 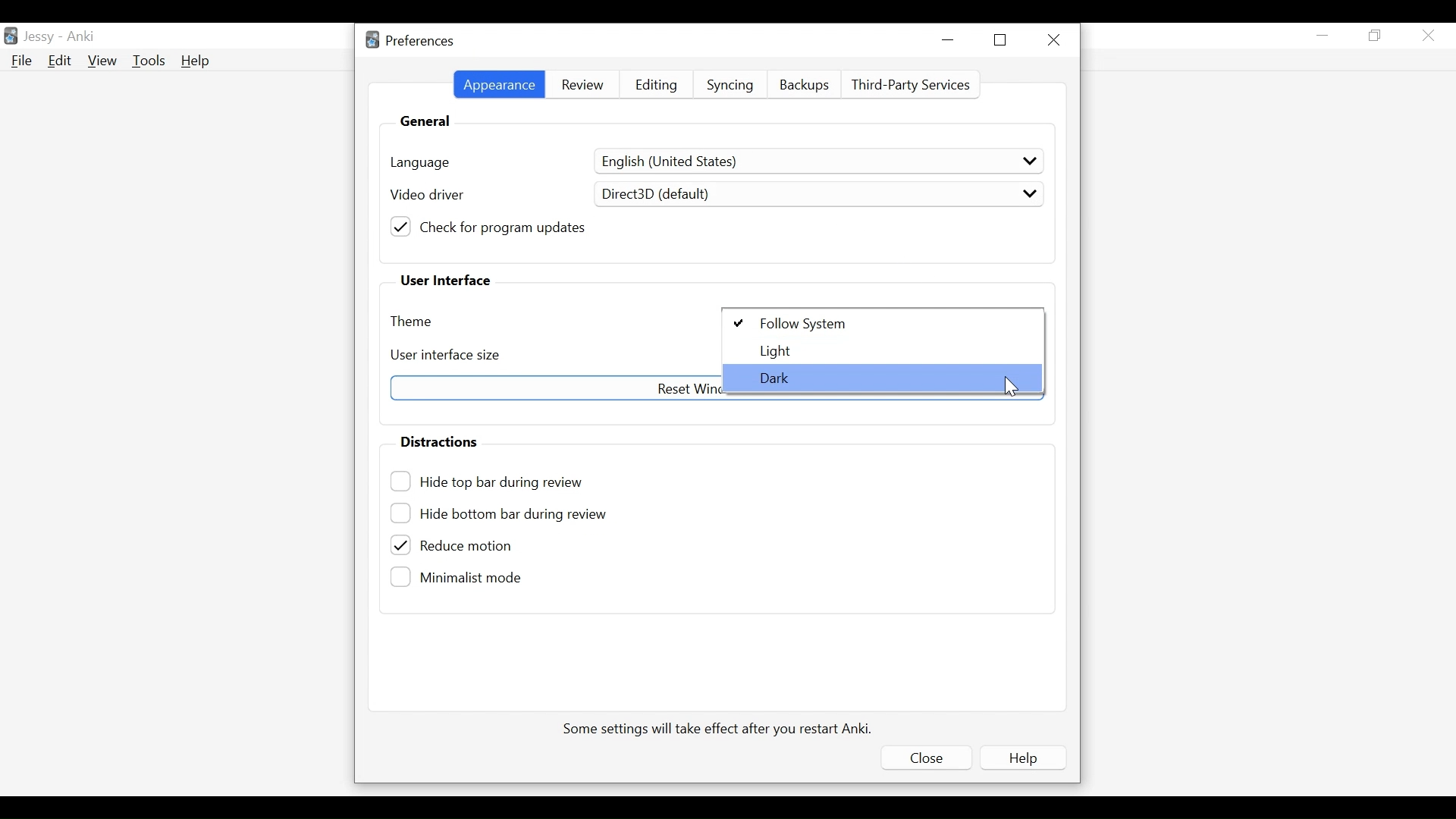 I want to click on Some settings will take effect after you restart Anki, so click(x=720, y=729).